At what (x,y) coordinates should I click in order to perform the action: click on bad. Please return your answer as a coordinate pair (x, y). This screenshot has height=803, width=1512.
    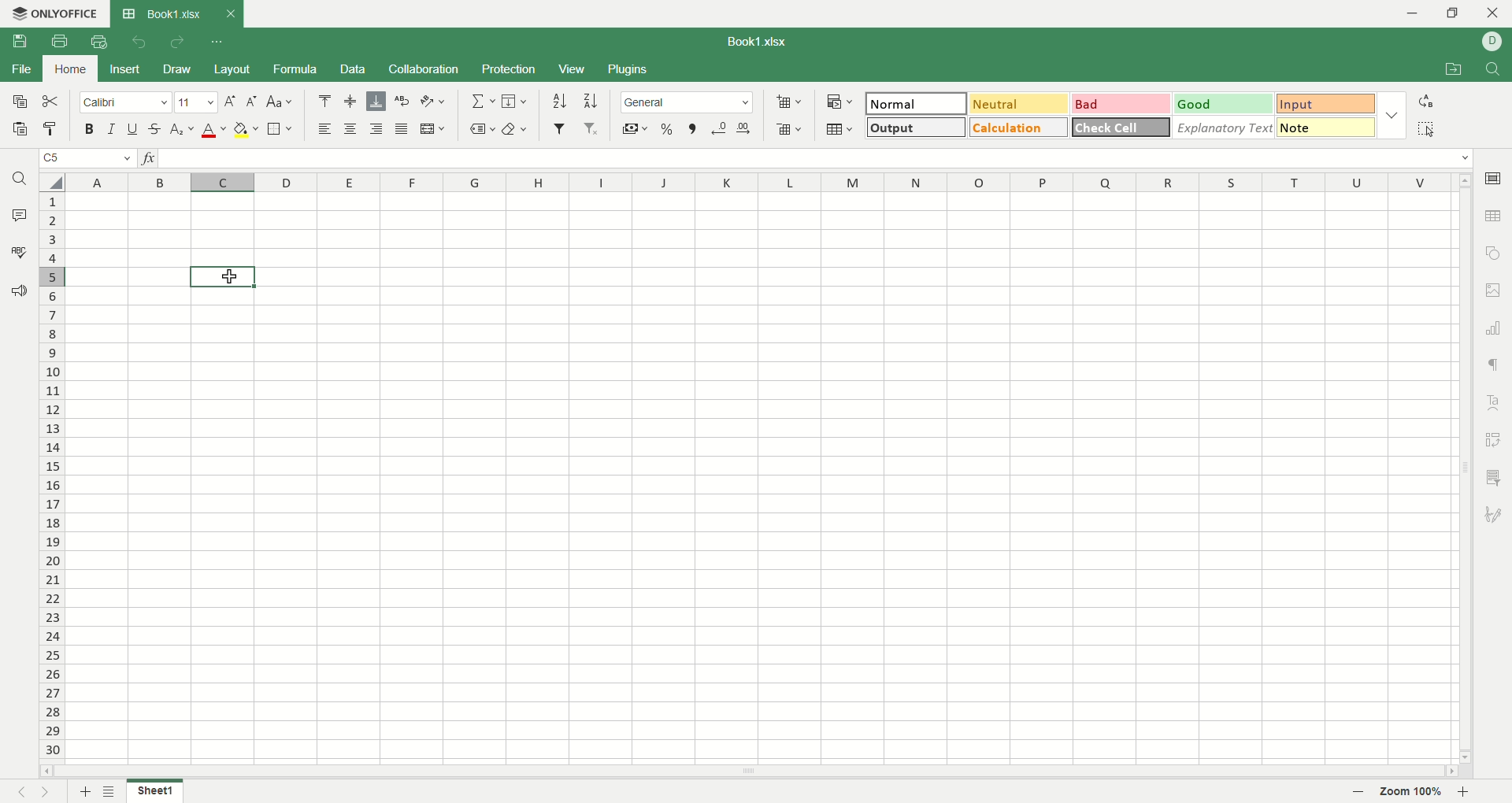
    Looking at the image, I should click on (1119, 104).